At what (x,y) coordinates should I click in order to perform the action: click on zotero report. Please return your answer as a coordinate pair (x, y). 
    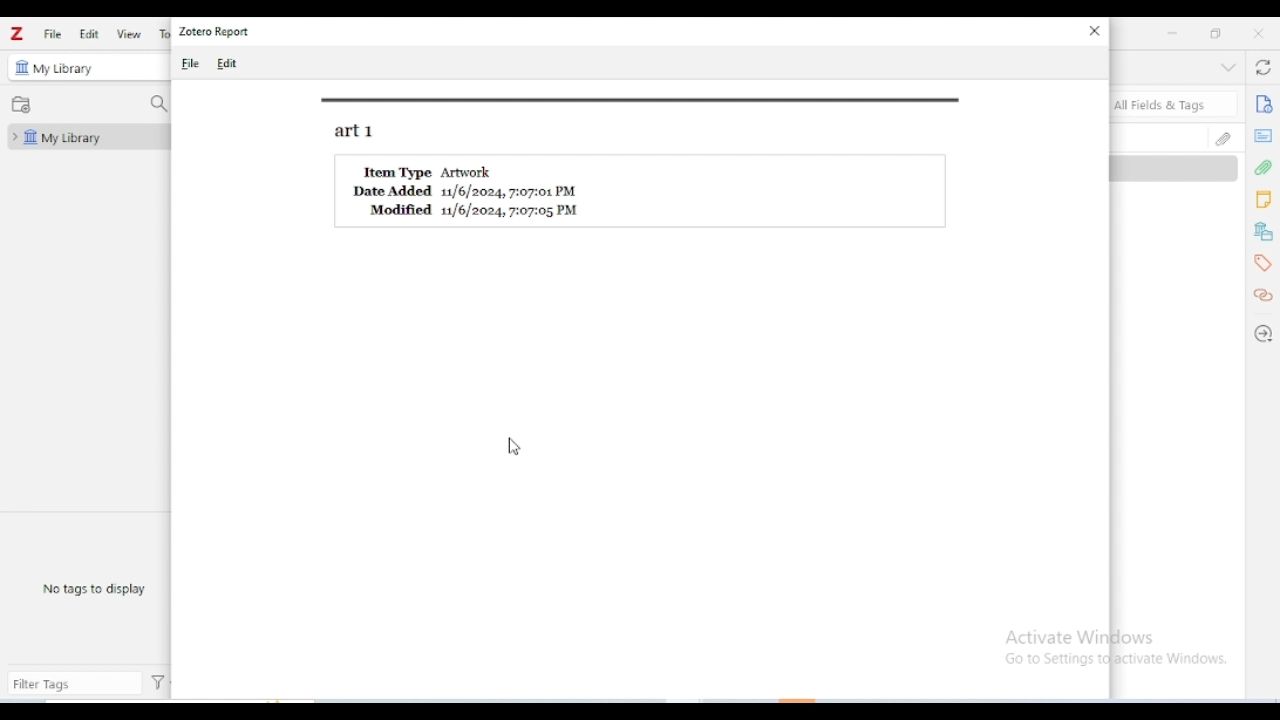
    Looking at the image, I should click on (214, 31).